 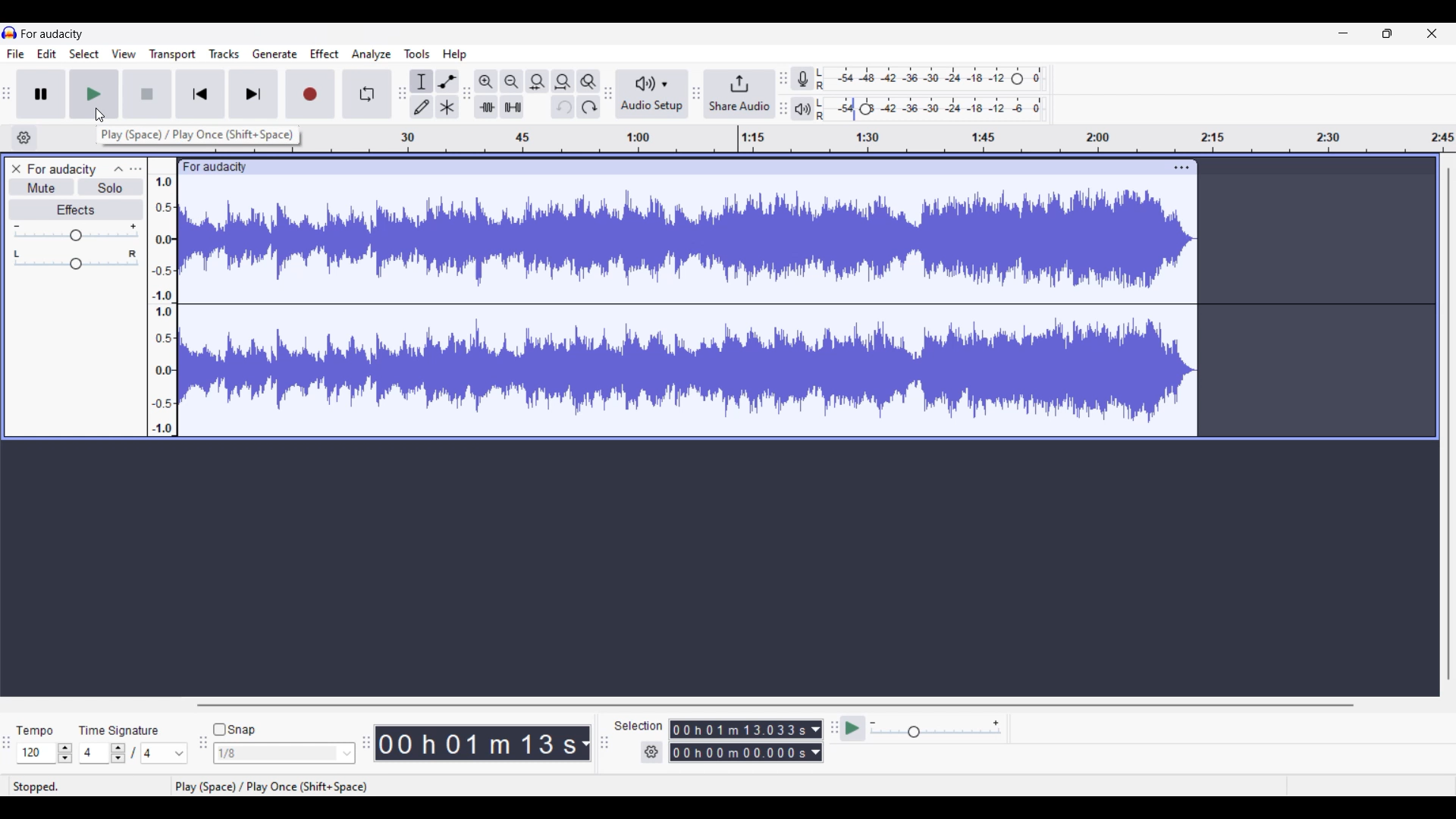 What do you see at coordinates (275, 54) in the screenshot?
I see `Generate menu` at bounding box center [275, 54].